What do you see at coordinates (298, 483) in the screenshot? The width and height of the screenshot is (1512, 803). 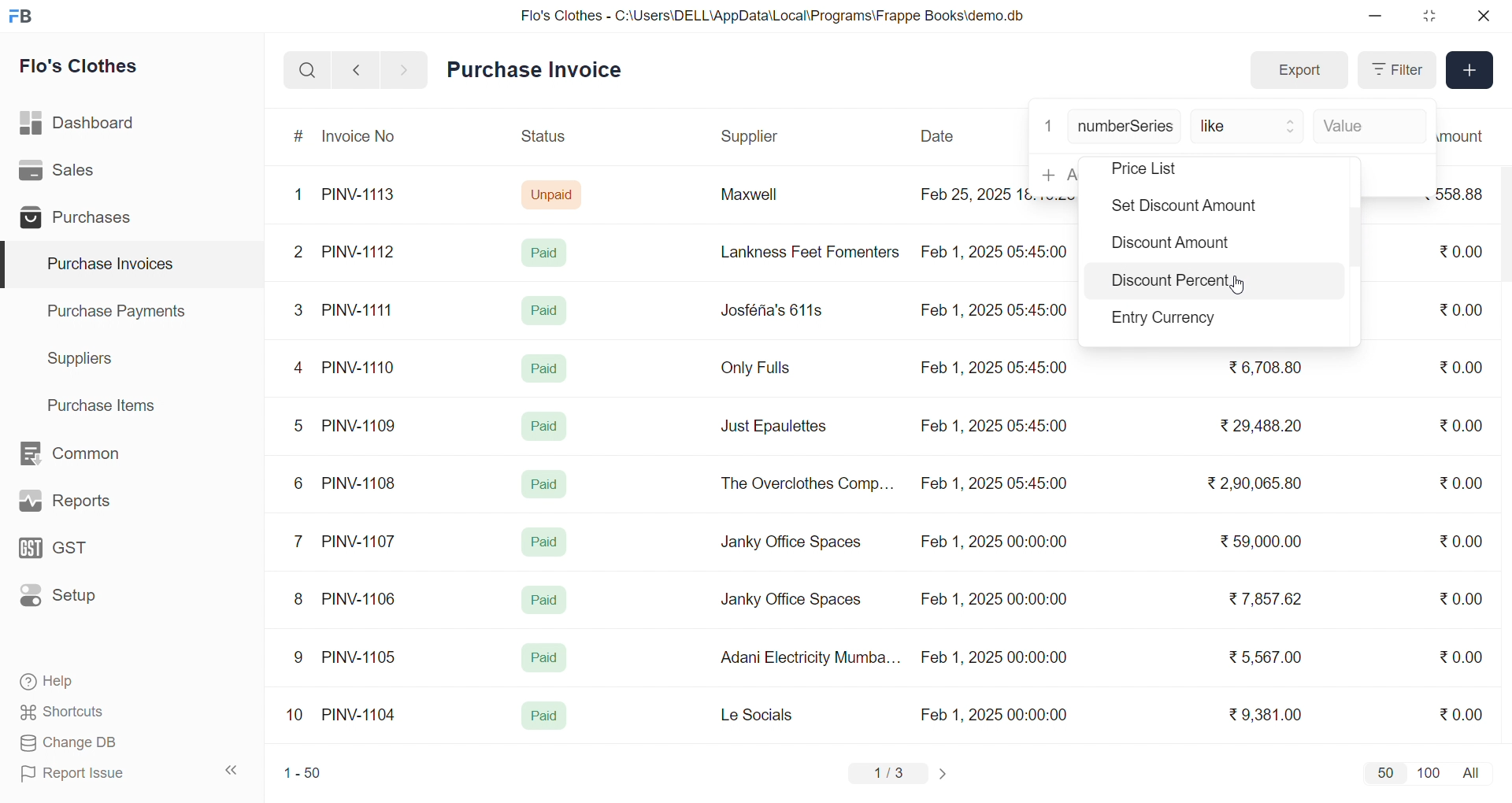 I see `6` at bounding box center [298, 483].